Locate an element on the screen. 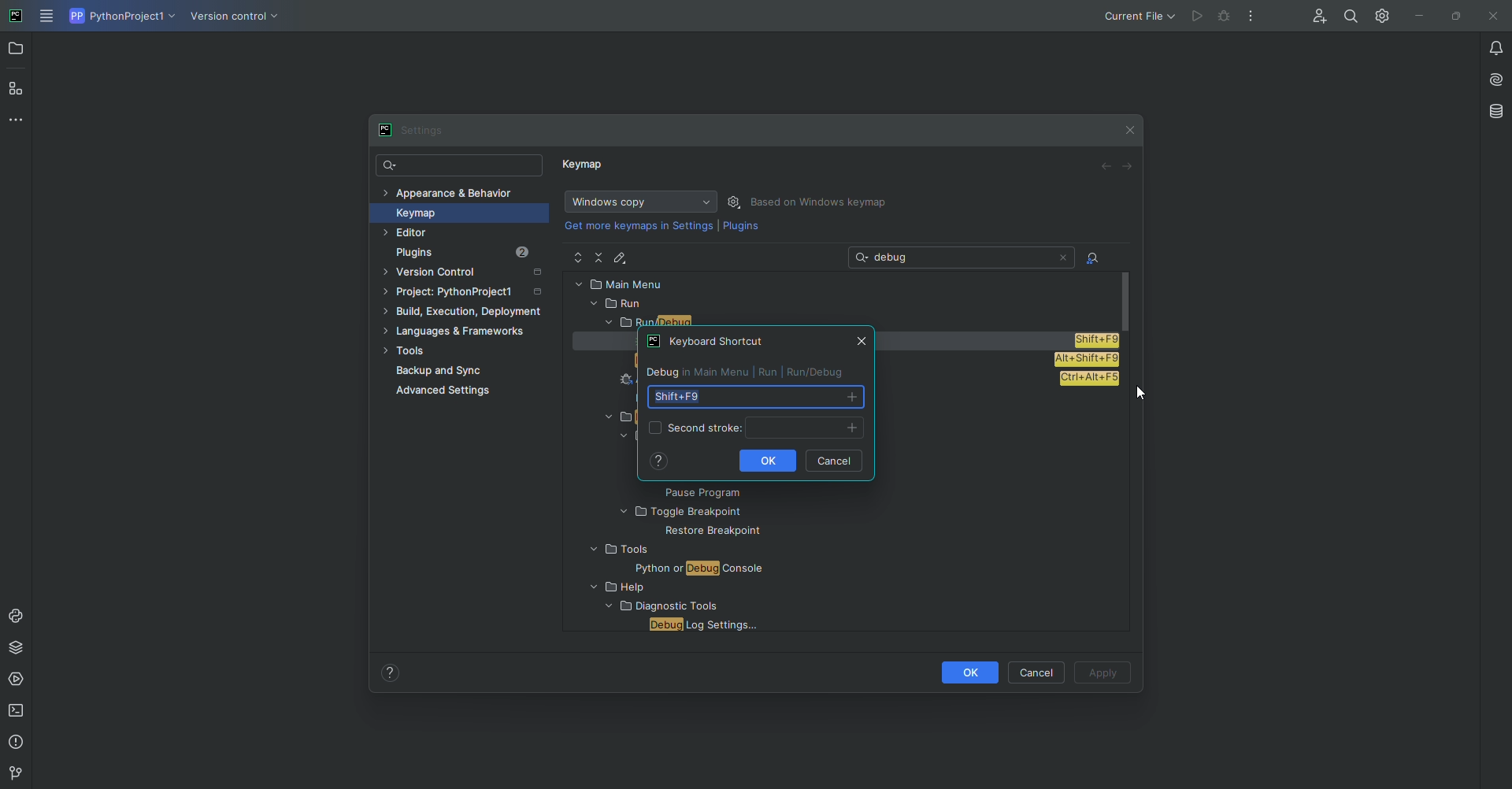  help is located at coordinates (659, 461).